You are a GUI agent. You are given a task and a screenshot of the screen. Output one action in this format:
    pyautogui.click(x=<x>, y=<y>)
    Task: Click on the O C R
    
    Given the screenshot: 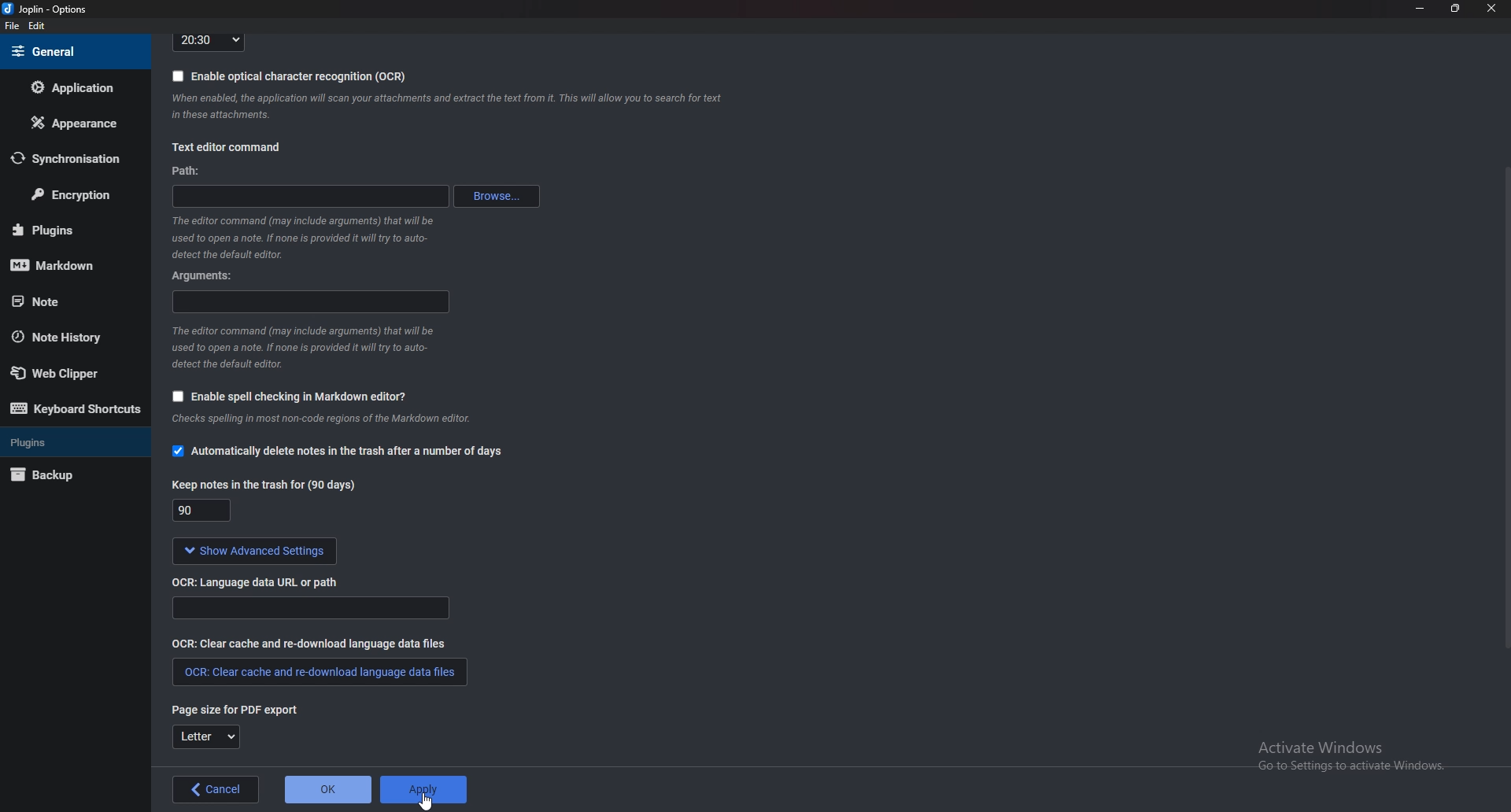 What is the action you would take?
    pyautogui.click(x=262, y=581)
    